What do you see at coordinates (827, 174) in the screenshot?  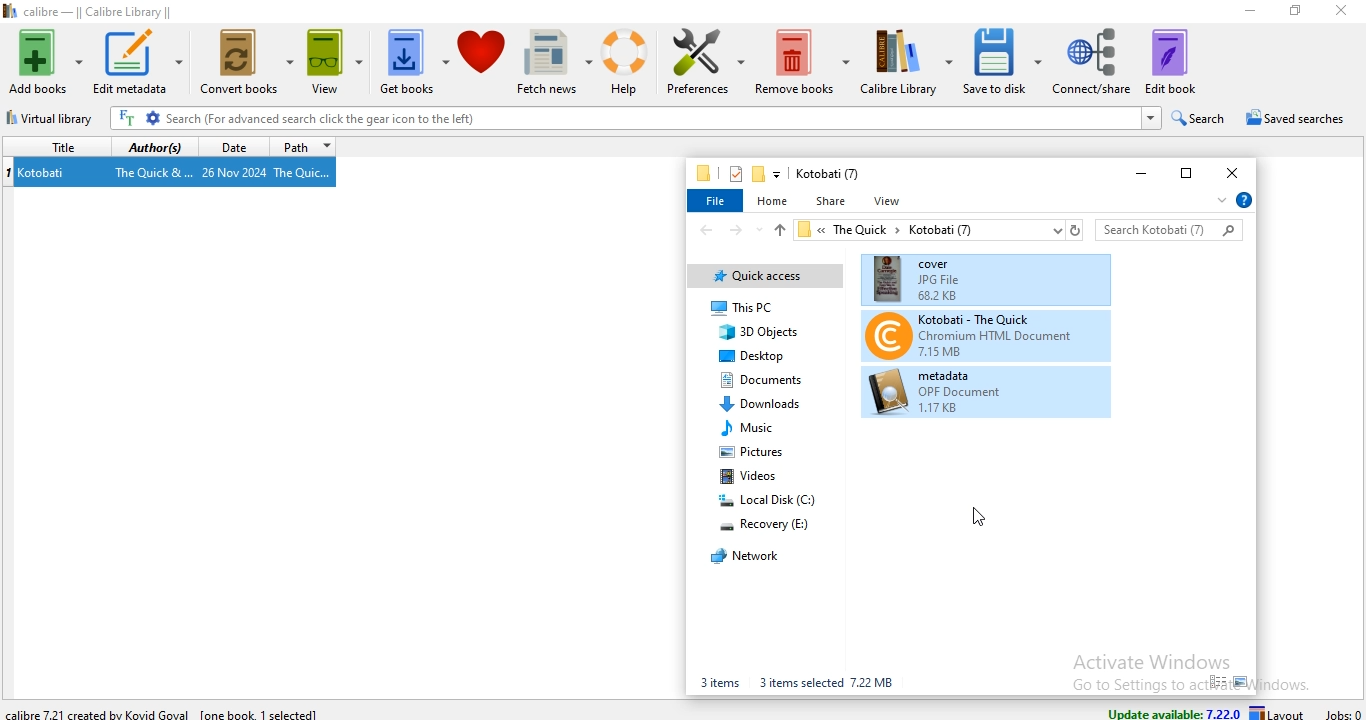 I see `Kotobati (7)` at bounding box center [827, 174].